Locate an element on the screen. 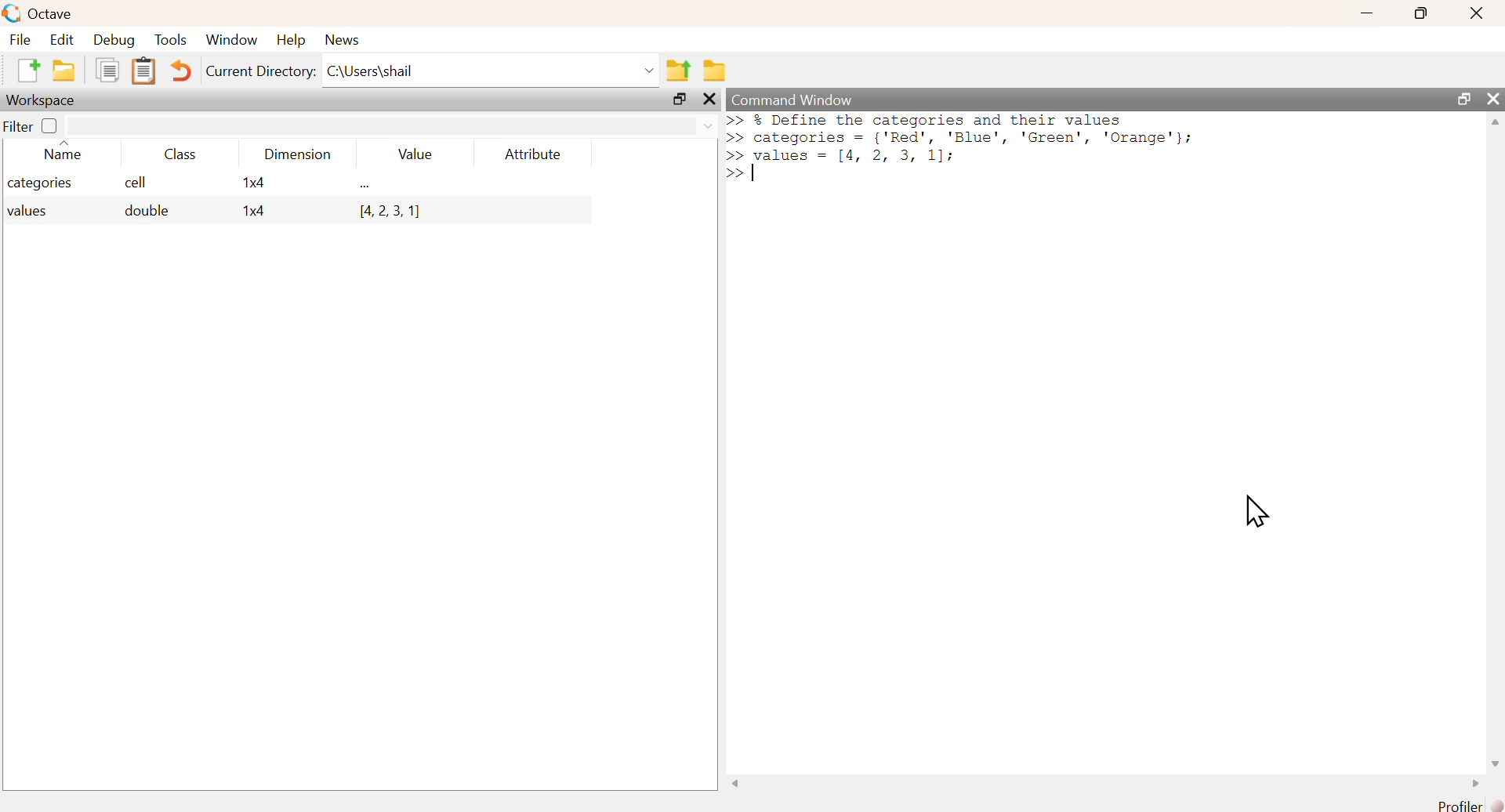  Edit is located at coordinates (61, 40).